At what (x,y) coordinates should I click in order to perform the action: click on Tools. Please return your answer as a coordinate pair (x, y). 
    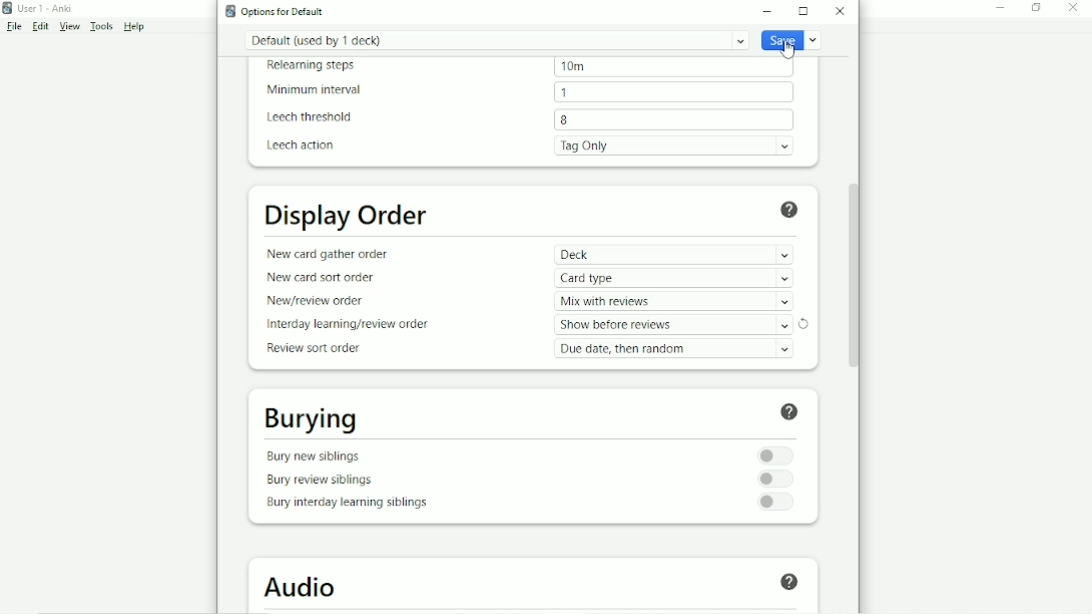
    Looking at the image, I should click on (101, 26).